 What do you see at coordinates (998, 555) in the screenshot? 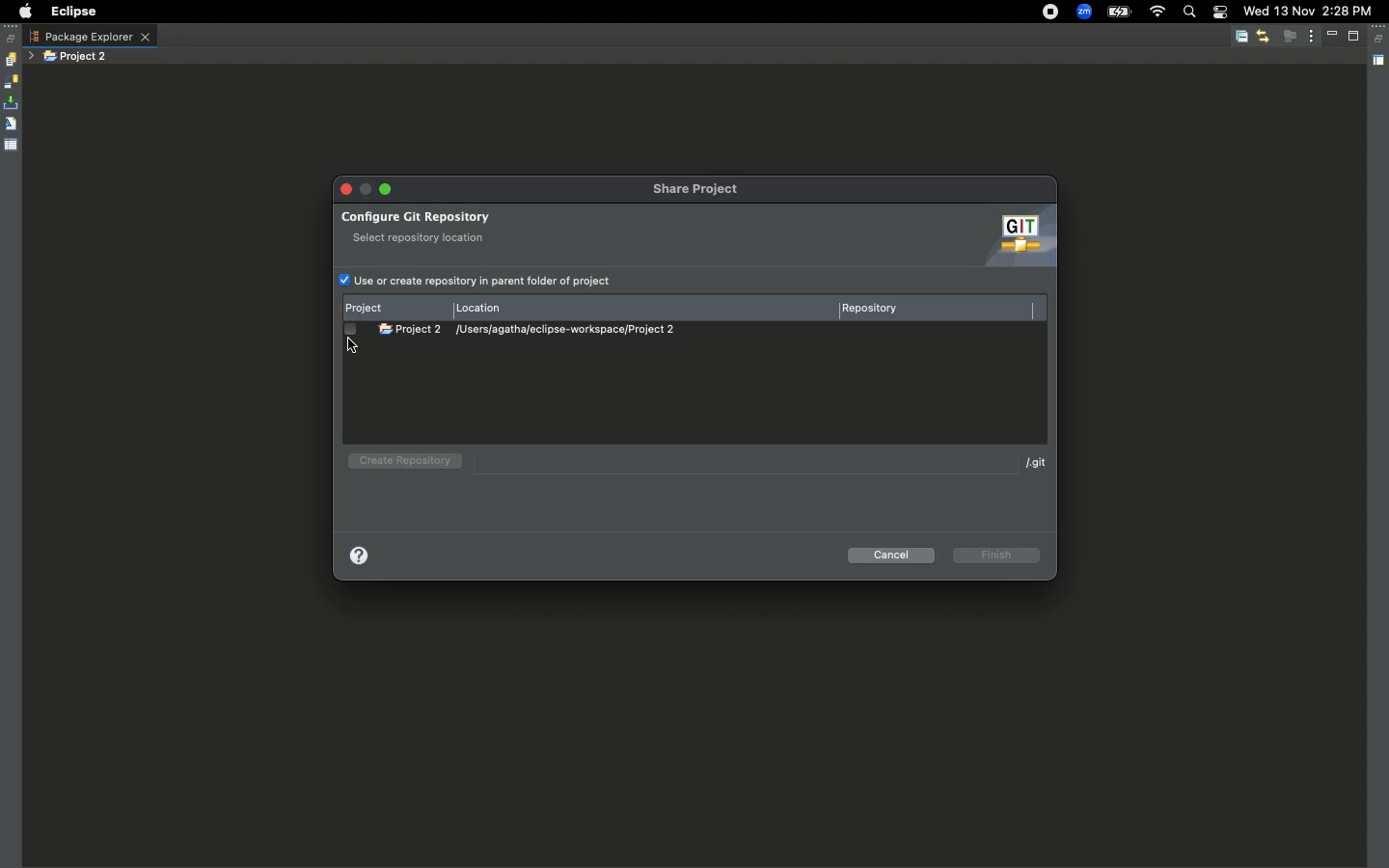
I see `Finish` at bounding box center [998, 555].